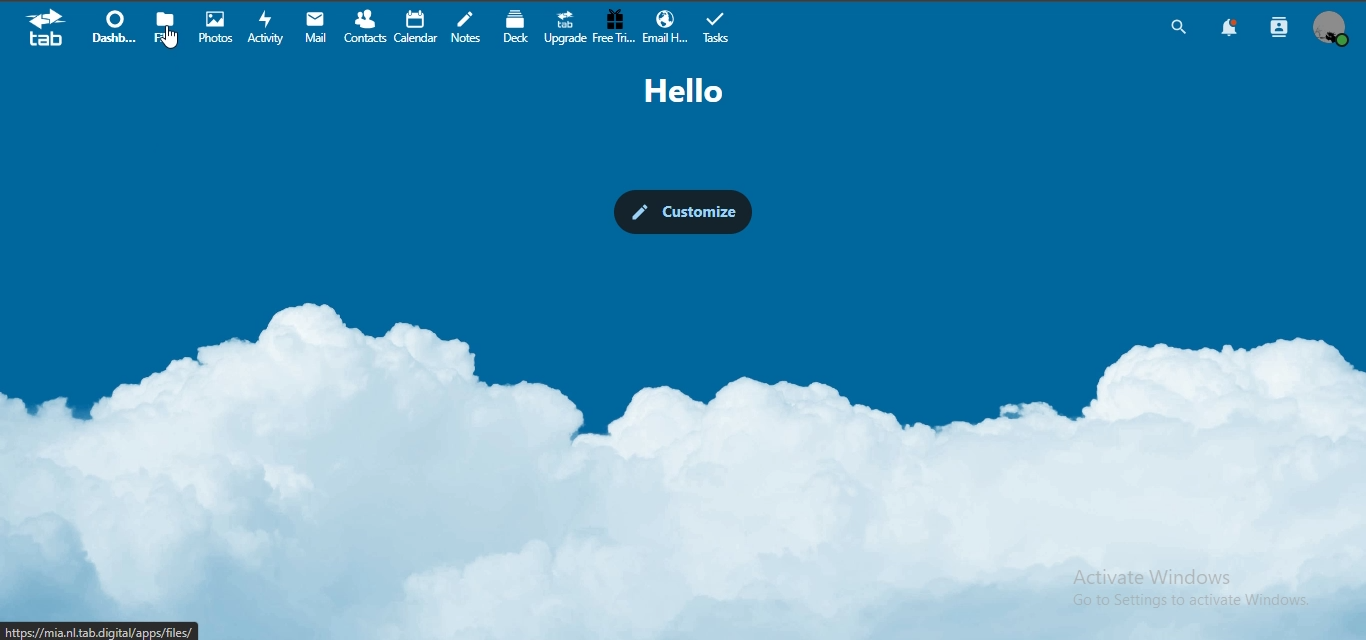 Image resolution: width=1366 pixels, height=640 pixels. Describe the element at coordinates (118, 27) in the screenshot. I see `dashboard` at that location.